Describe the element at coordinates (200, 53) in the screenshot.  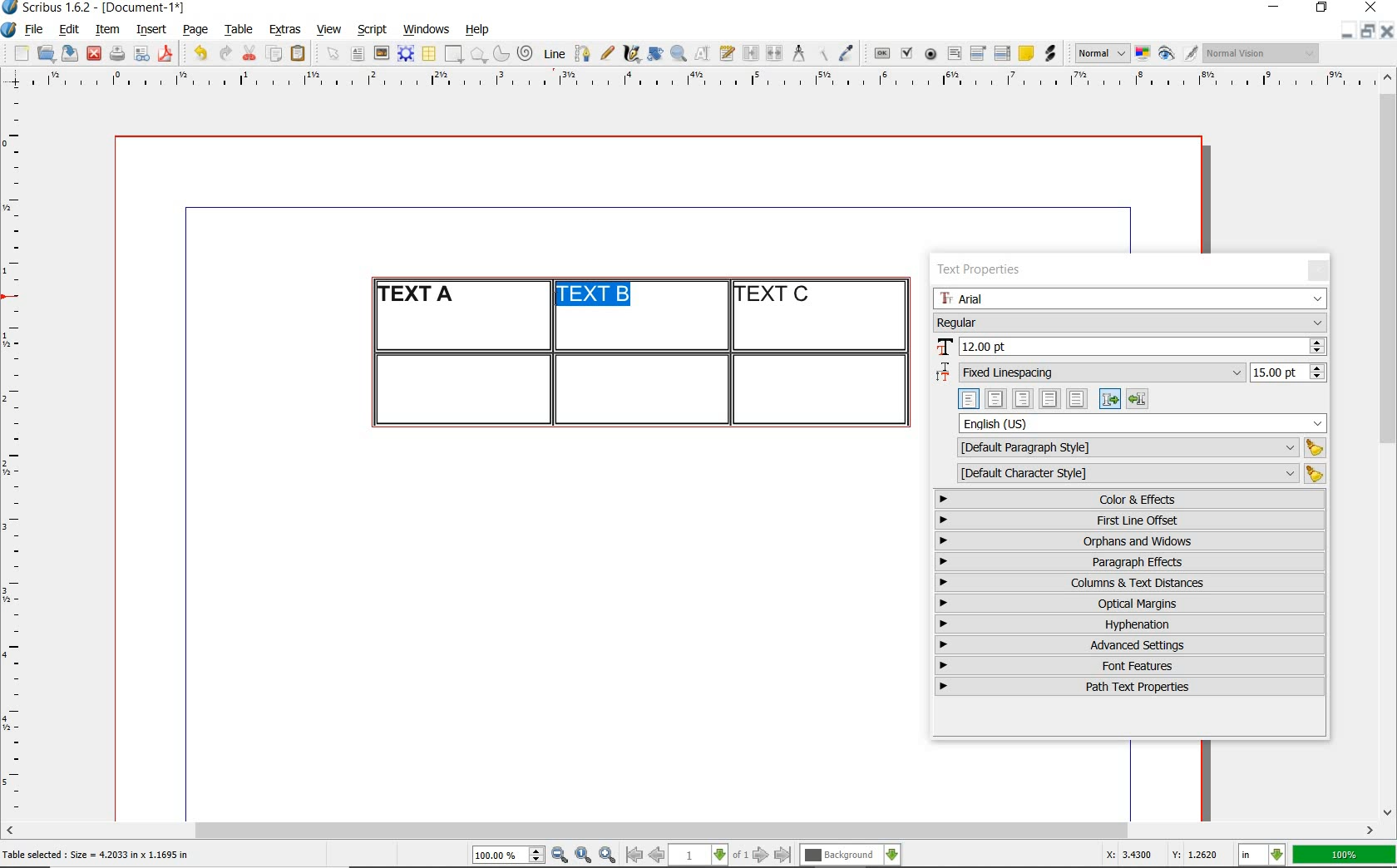
I see `undo` at that location.